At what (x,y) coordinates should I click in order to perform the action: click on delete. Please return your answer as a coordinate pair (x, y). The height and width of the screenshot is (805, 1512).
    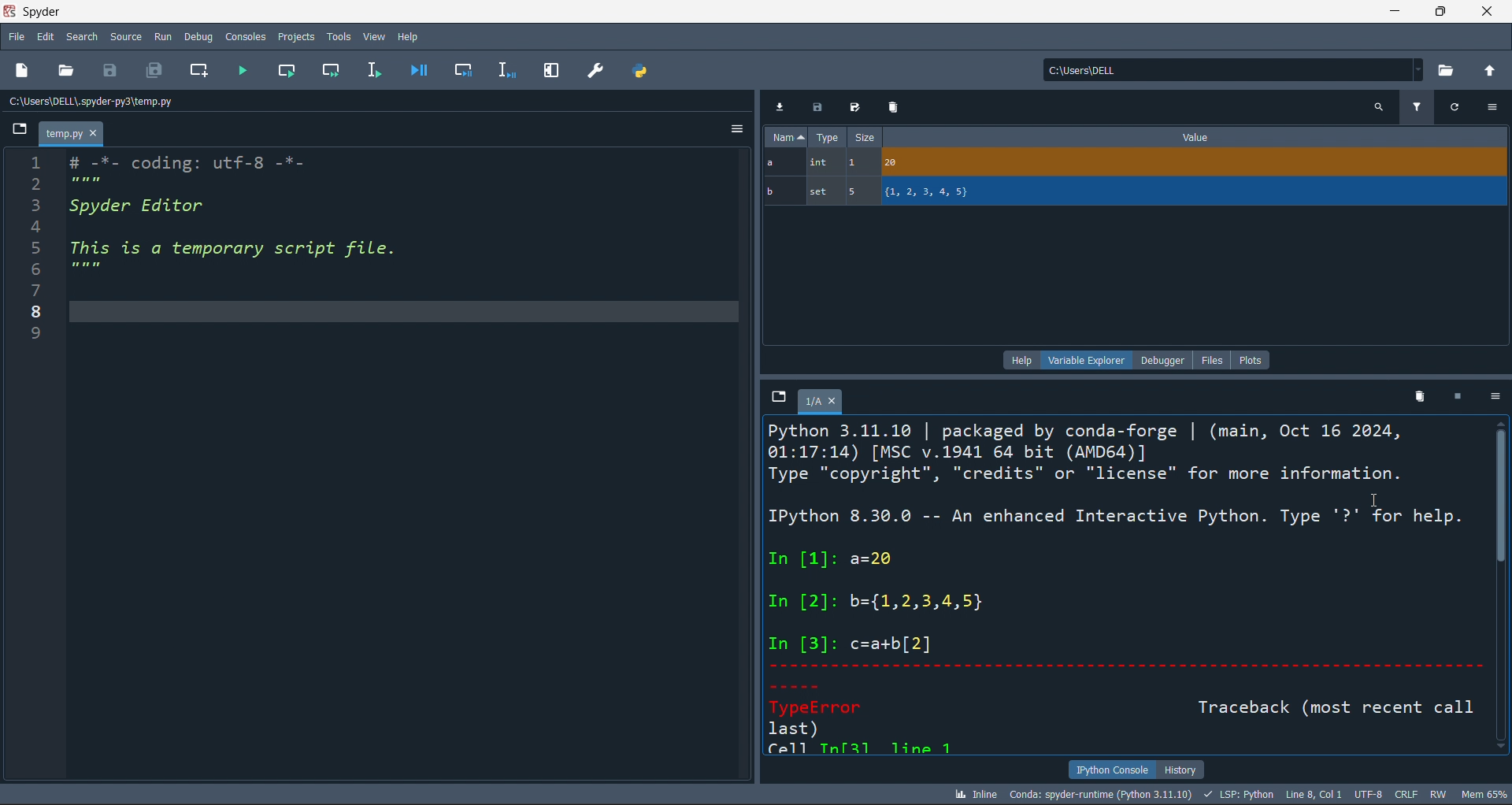
    Looking at the image, I should click on (892, 106).